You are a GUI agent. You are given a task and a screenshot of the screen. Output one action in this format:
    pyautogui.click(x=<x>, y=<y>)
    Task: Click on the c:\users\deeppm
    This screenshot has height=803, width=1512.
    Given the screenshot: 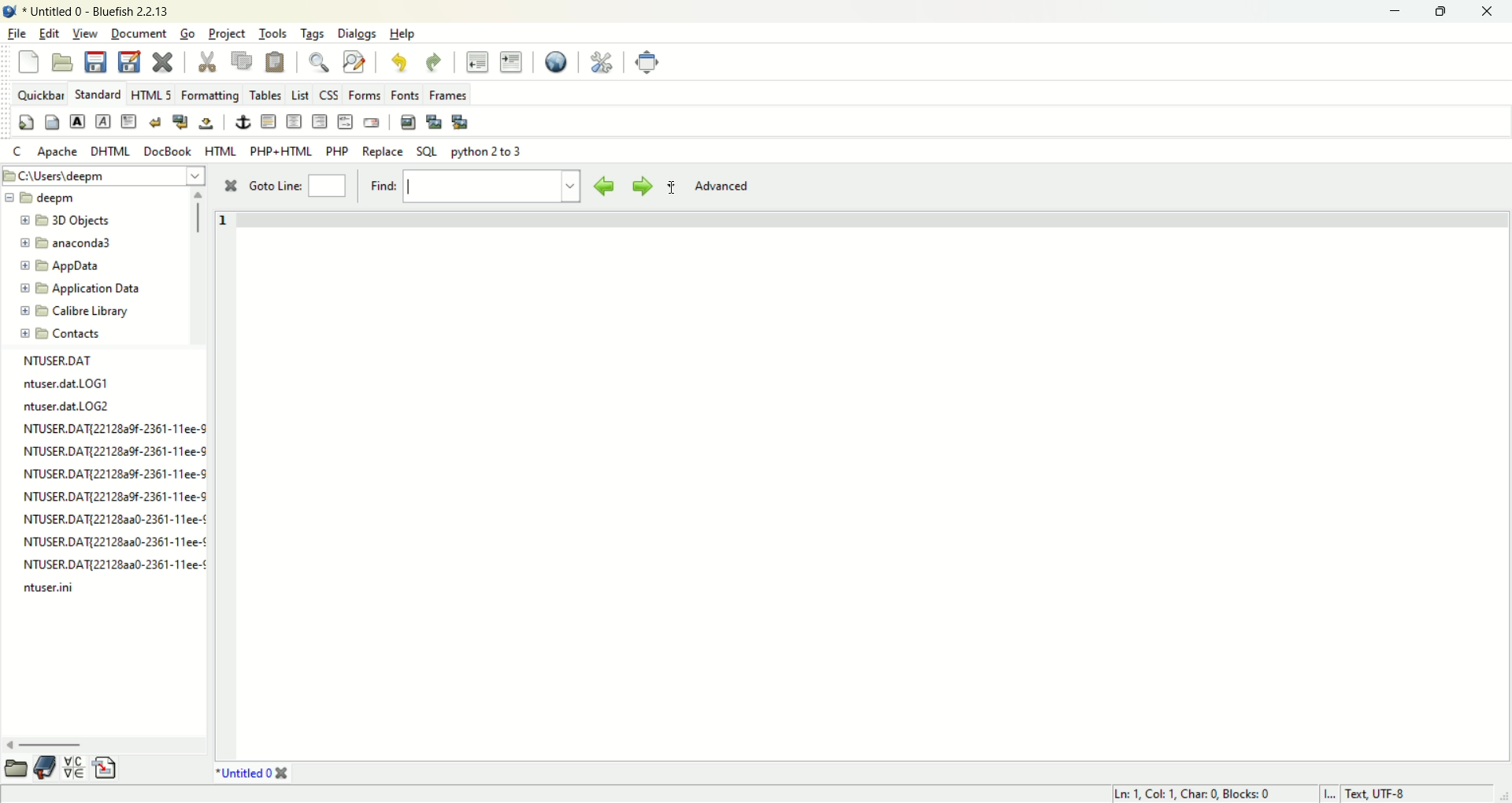 What is the action you would take?
    pyautogui.click(x=76, y=177)
    